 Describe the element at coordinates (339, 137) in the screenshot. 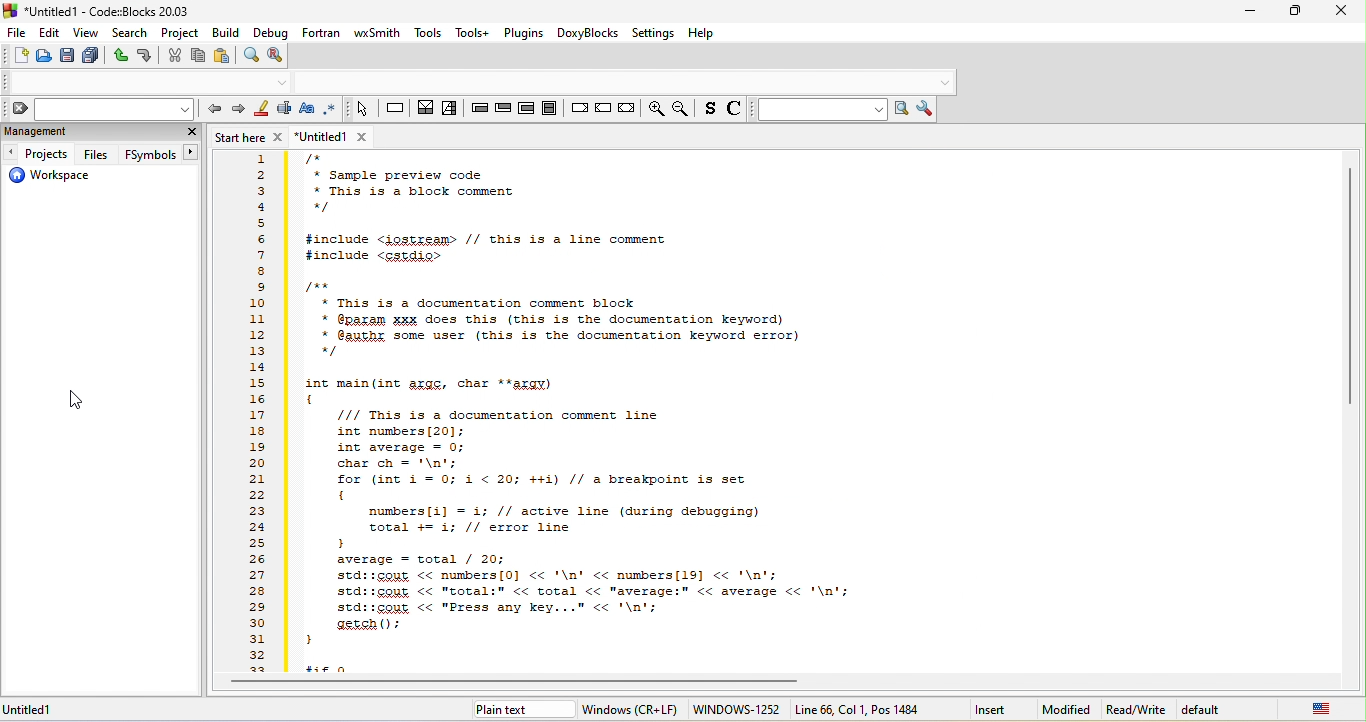

I see `untitled 1` at that location.